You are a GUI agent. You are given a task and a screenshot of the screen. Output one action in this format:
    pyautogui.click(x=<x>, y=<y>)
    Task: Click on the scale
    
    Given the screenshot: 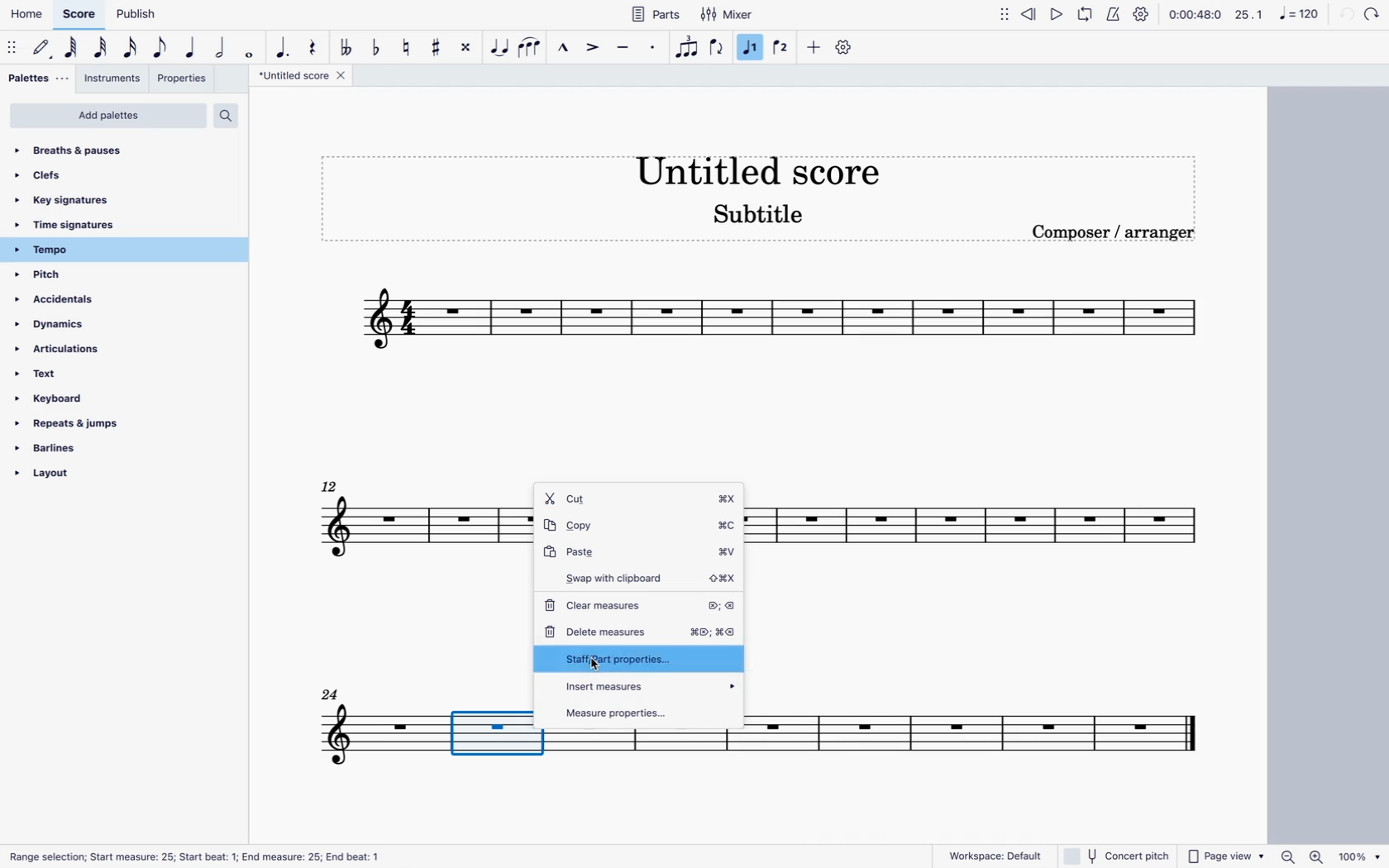 What is the action you would take?
    pyautogui.click(x=1277, y=14)
    